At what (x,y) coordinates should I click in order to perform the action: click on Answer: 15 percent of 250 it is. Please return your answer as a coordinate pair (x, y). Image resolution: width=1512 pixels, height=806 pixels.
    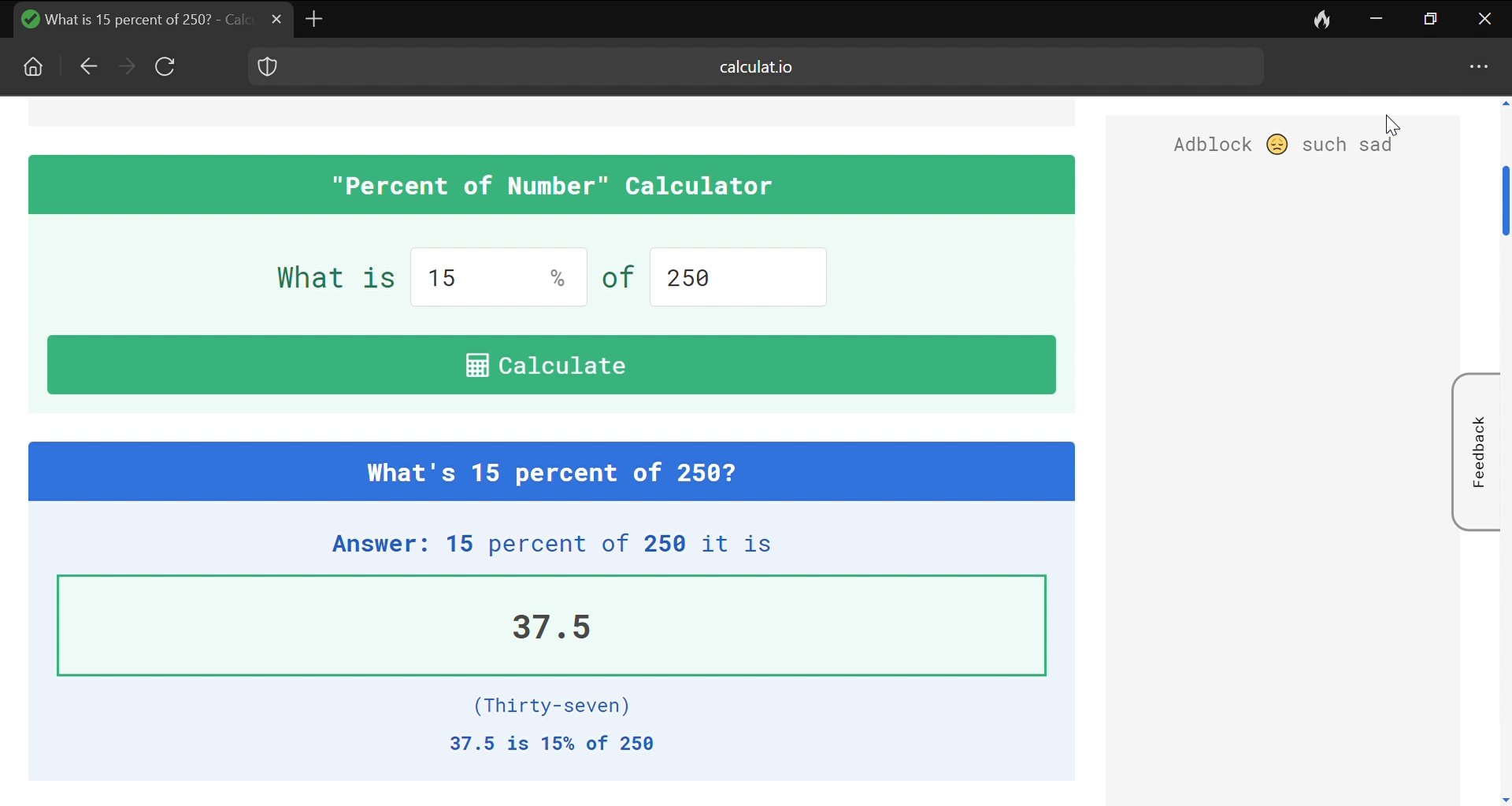
    Looking at the image, I should click on (543, 548).